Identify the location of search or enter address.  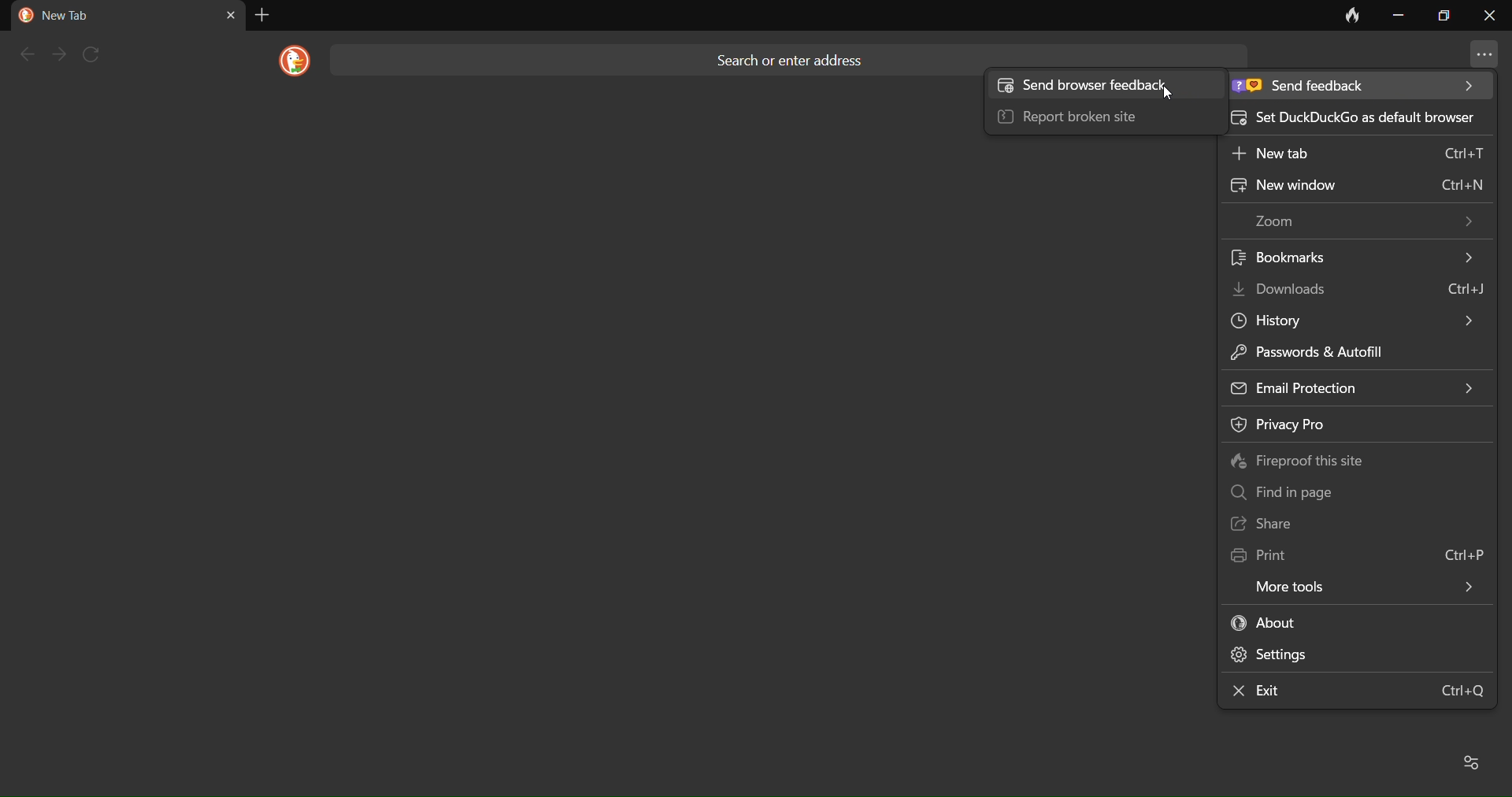
(795, 50).